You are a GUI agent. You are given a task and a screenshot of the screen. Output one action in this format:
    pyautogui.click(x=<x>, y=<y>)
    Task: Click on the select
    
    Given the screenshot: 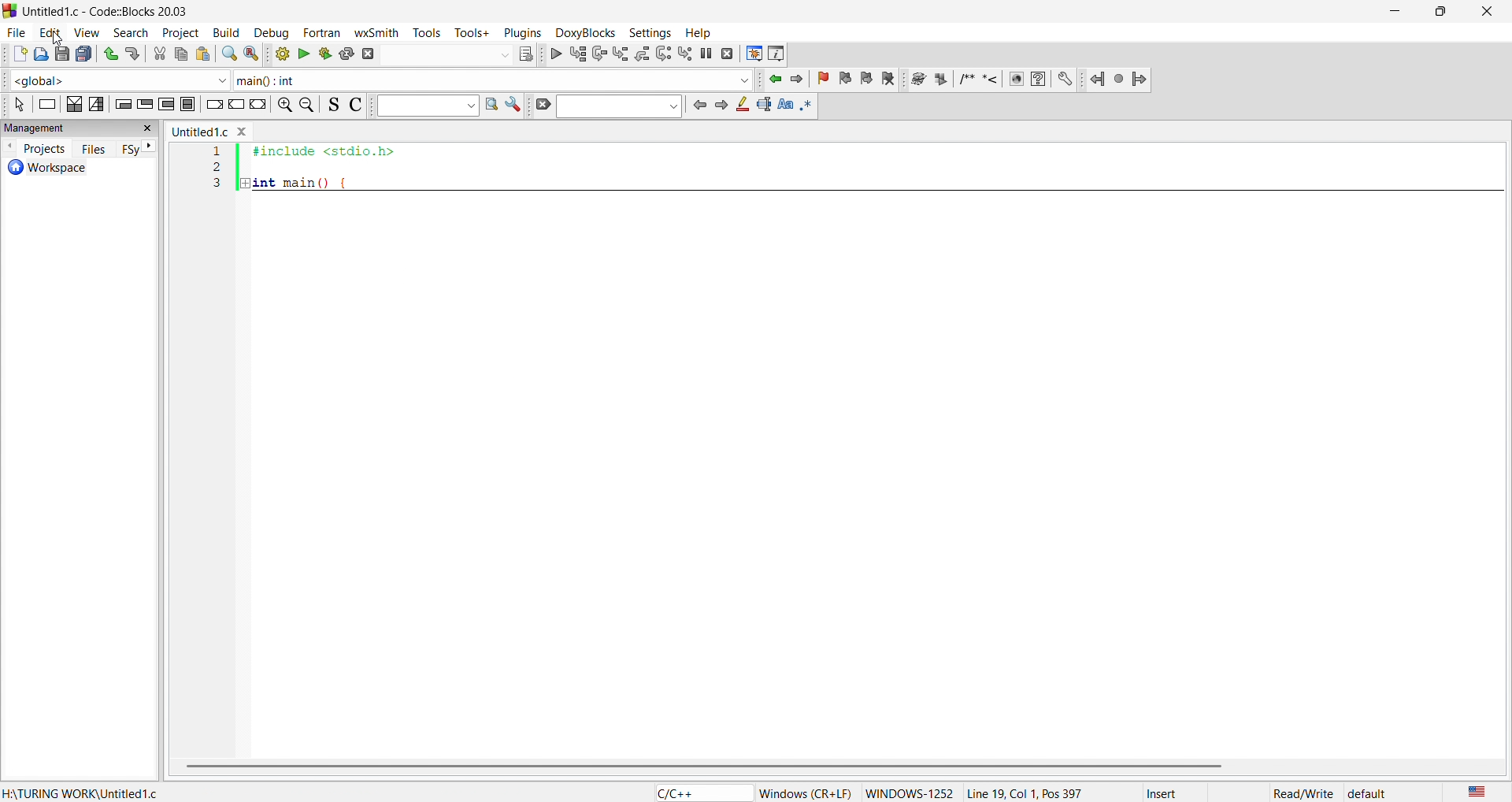 What is the action you would take?
    pyautogui.click(x=17, y=105)
    